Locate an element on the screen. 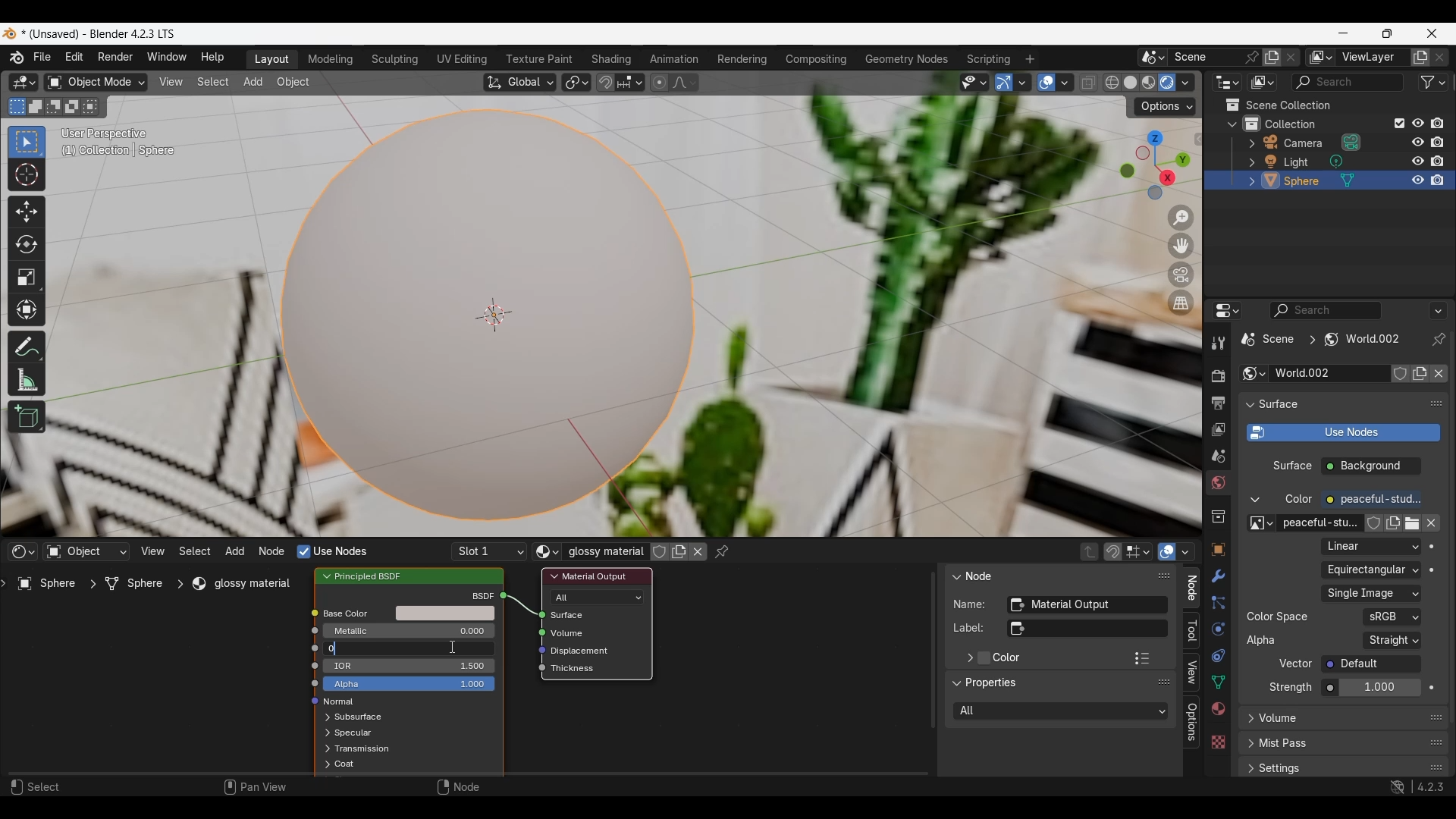  Node menu is located at coordinates (272, 551).